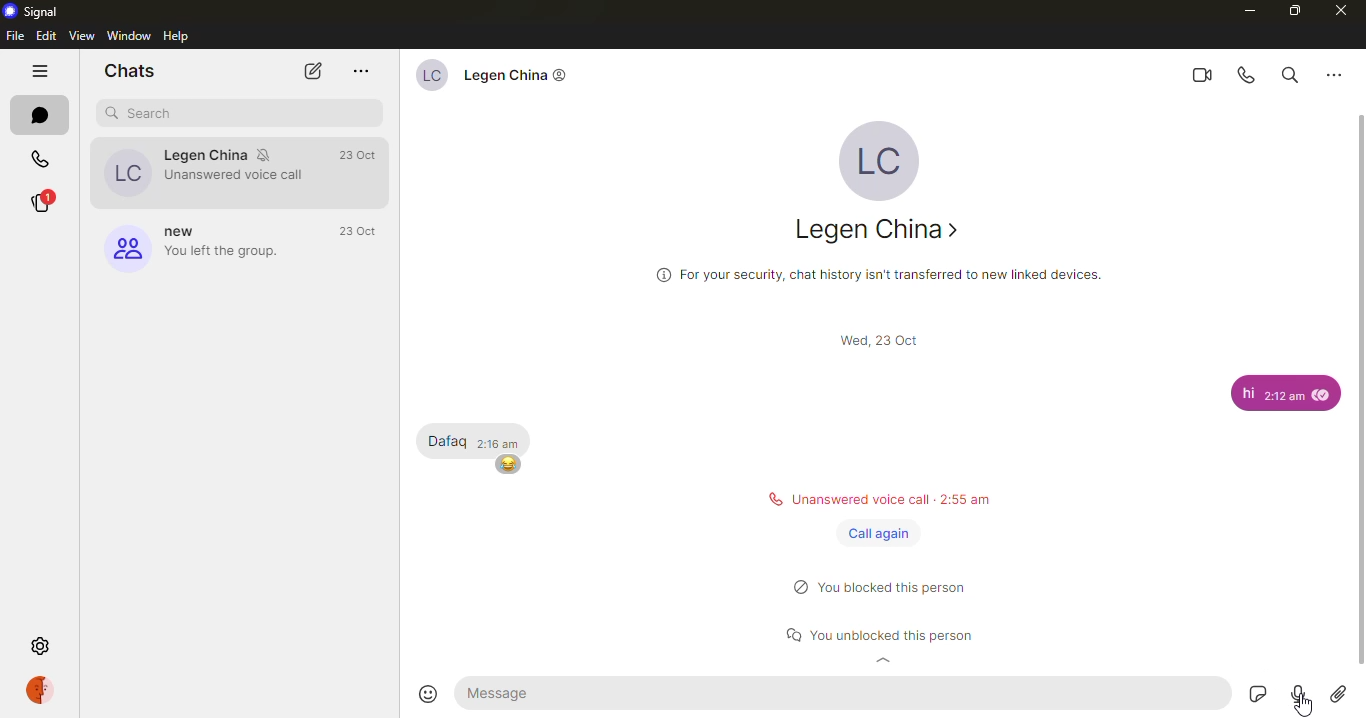 This screenshot has height=718, width=1366. Describe the element at coordinates (48, 36) in the screenshot. I see `edit` at that location.